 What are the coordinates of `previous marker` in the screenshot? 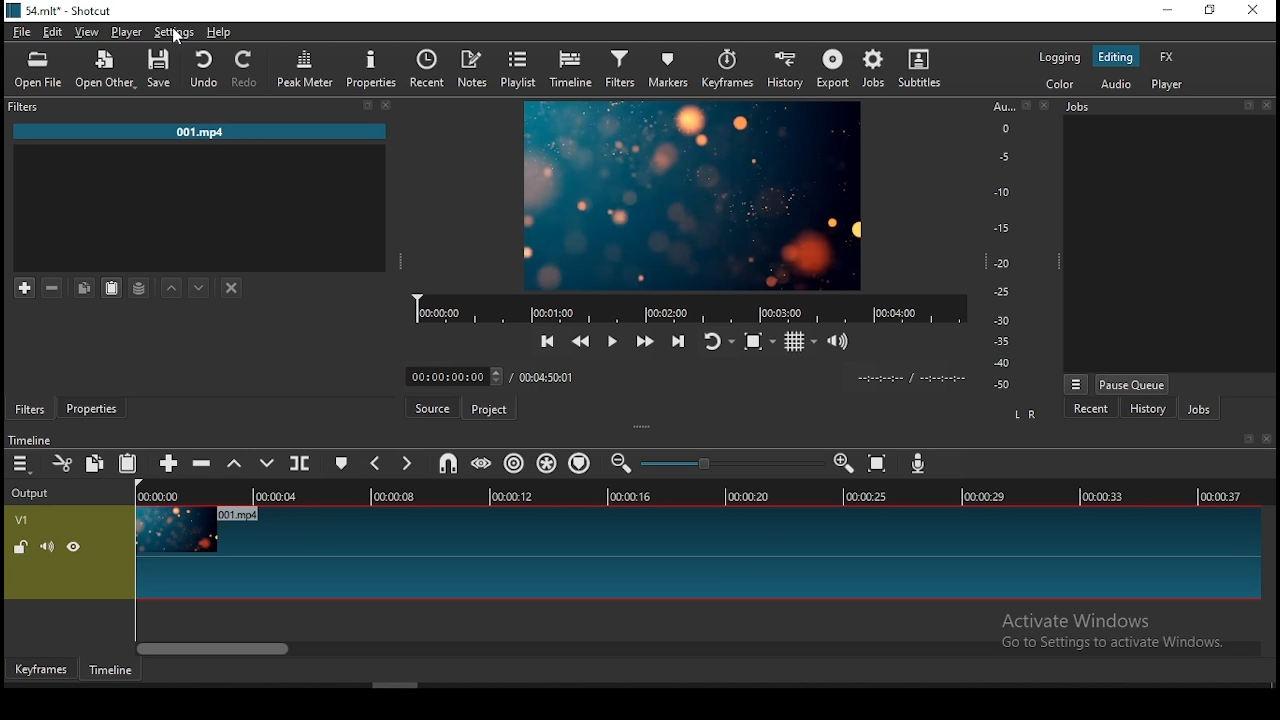 It's located at (374, 462).